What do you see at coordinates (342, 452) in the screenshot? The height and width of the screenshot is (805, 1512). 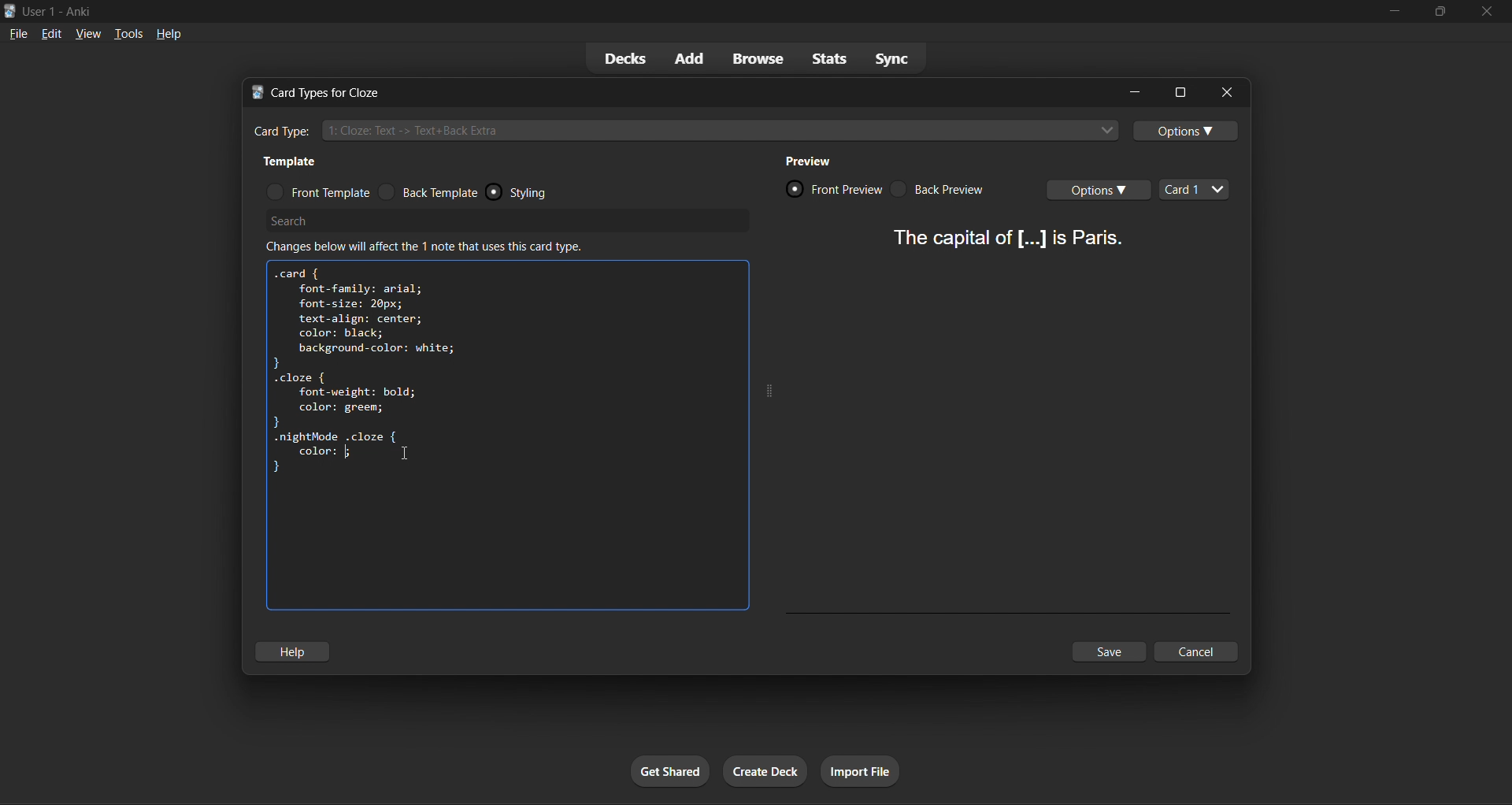 I see `color attribute` at bounding box center [342, 452].